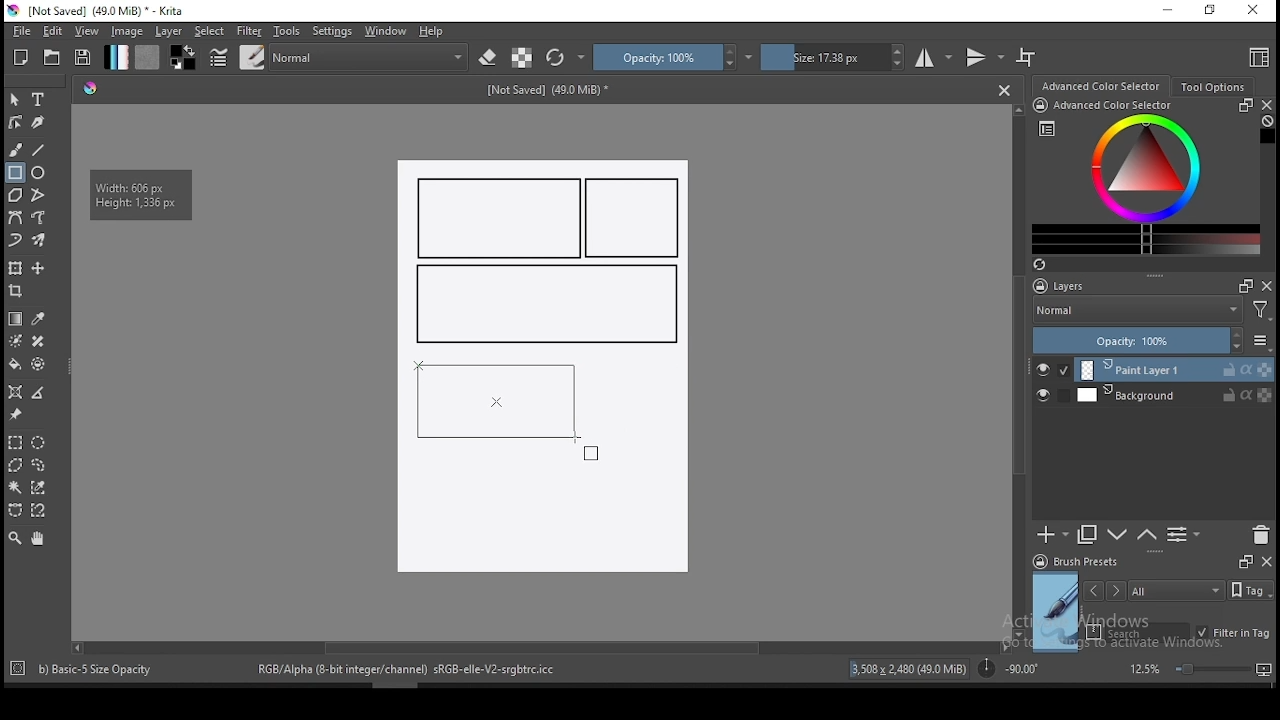 This screenshot has height=720, width=1280. Describe the element at coordinates (15, 121) in the screenshot. I see `edit shapes tool` at that location.